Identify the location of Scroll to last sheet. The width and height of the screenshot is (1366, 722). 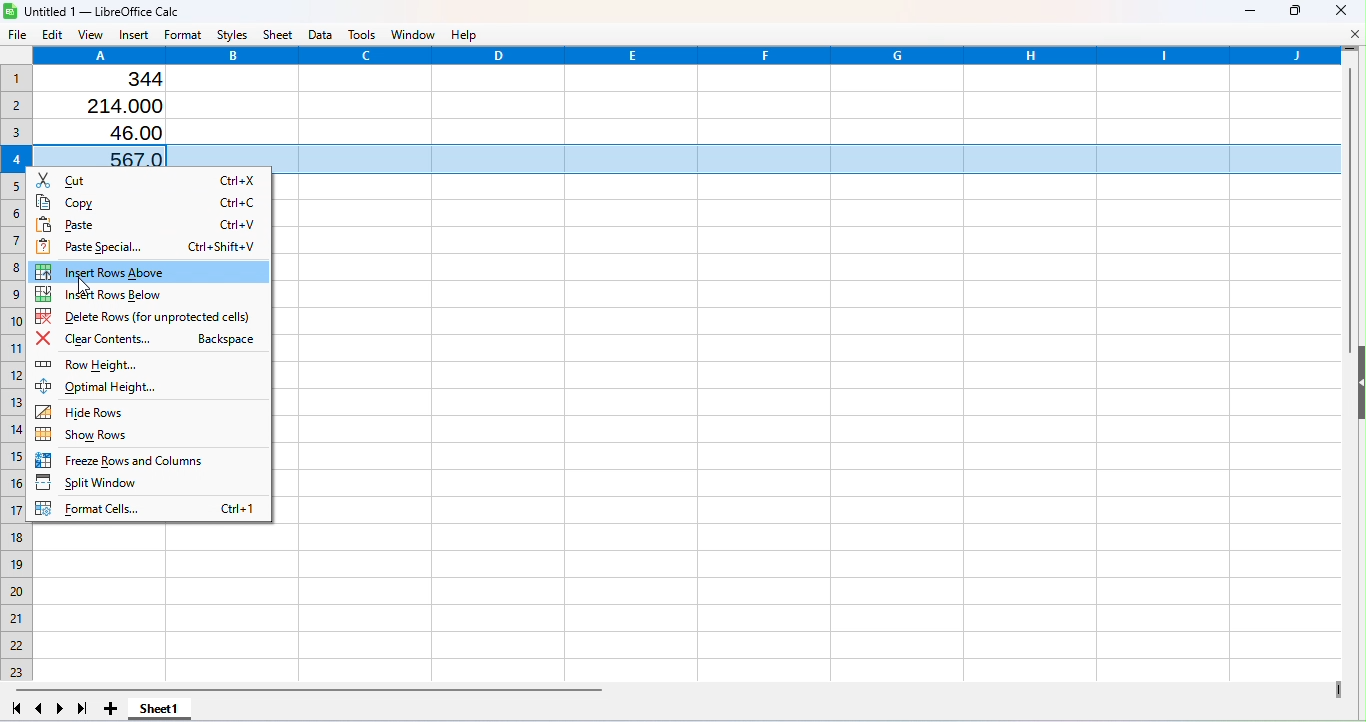
(82, 709).